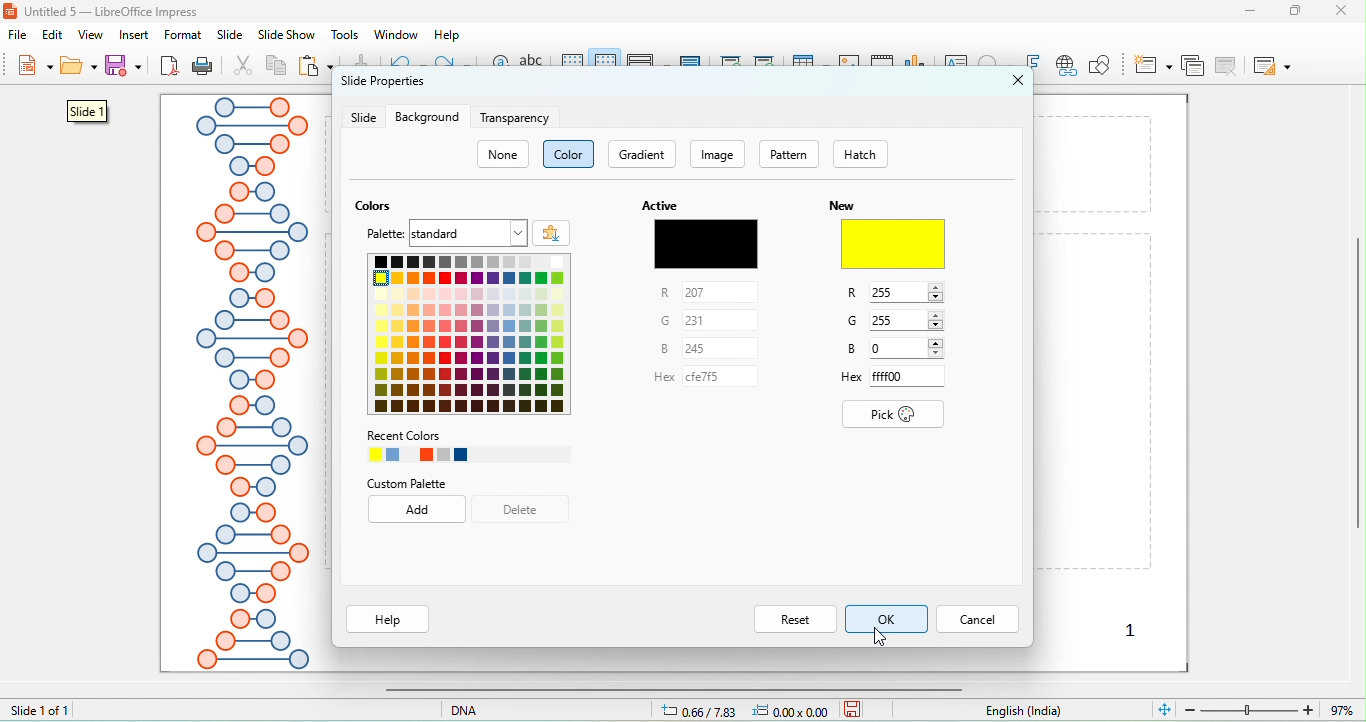 The image size is (1366, 722). What do you see at coordinates (419, 511) in the screenshot?
I see `add` at bounding box center [419, 511].